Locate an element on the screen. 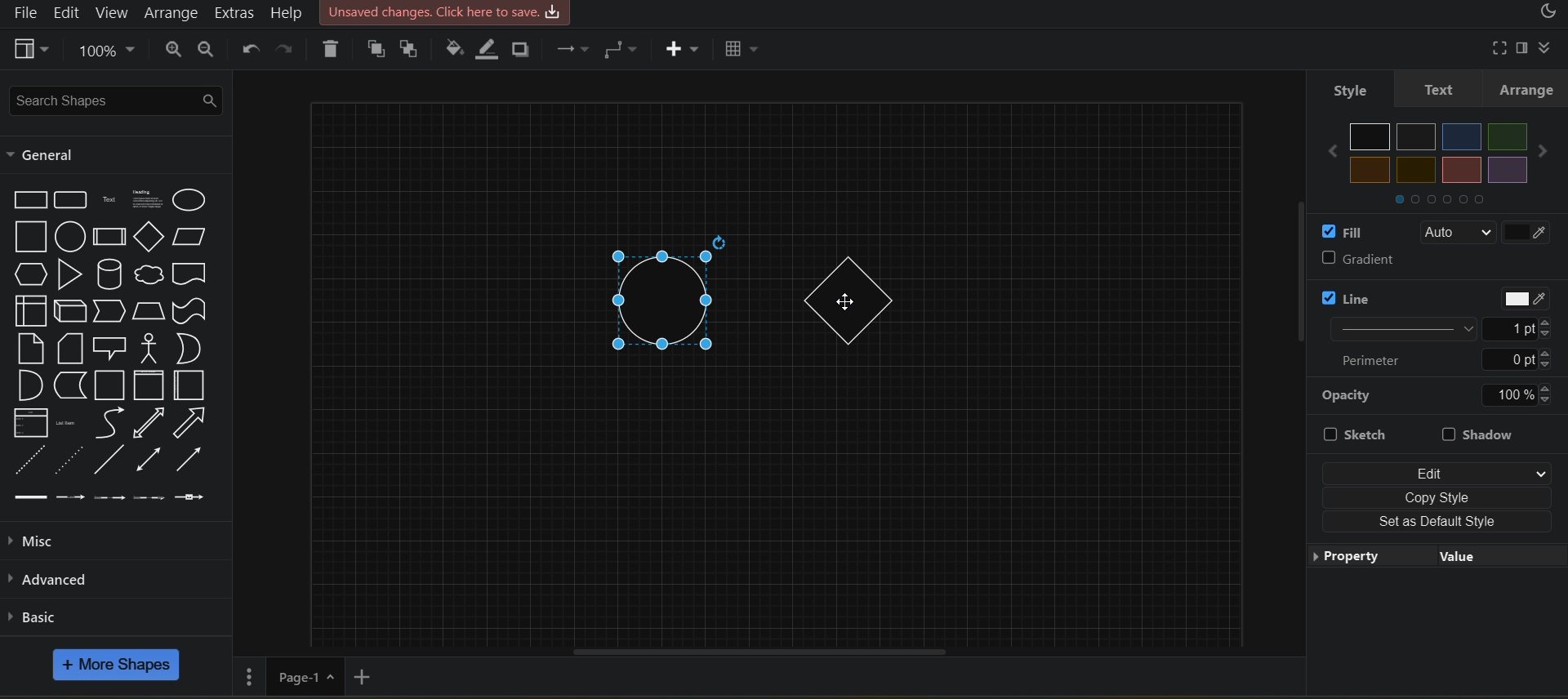 This screenshot has width=1568, height=699. connection is located at coordinates (623, 50).